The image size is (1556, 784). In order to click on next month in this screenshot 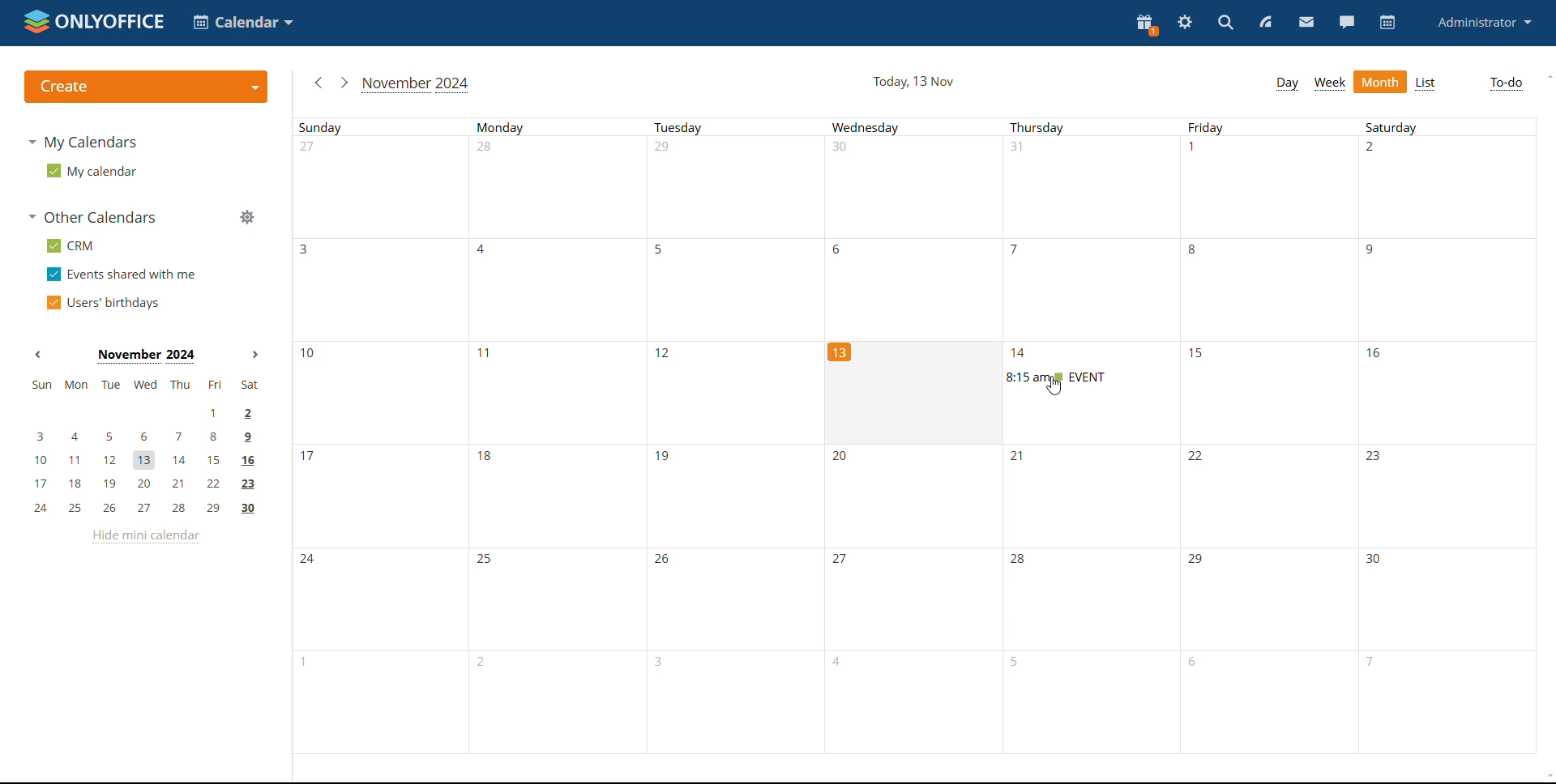, I will do `click(253, 355)`.